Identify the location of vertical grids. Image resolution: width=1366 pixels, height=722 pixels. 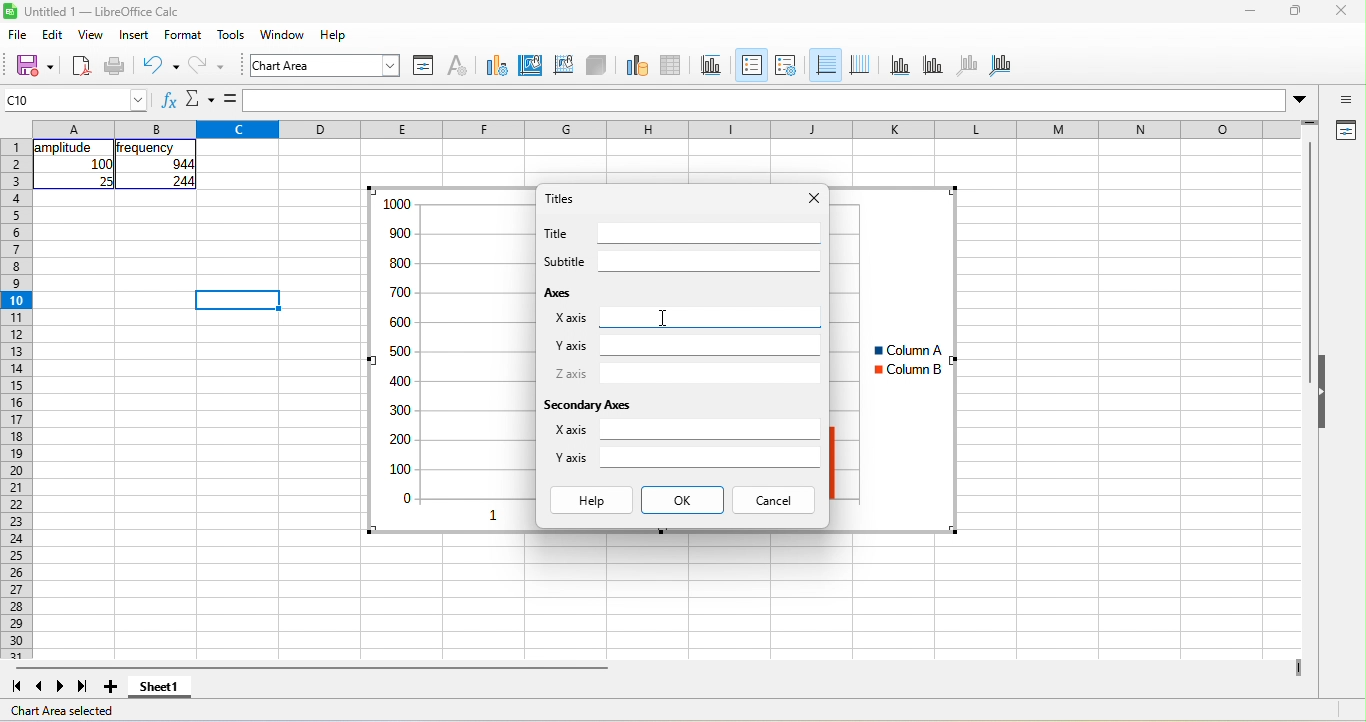
(860, 66).